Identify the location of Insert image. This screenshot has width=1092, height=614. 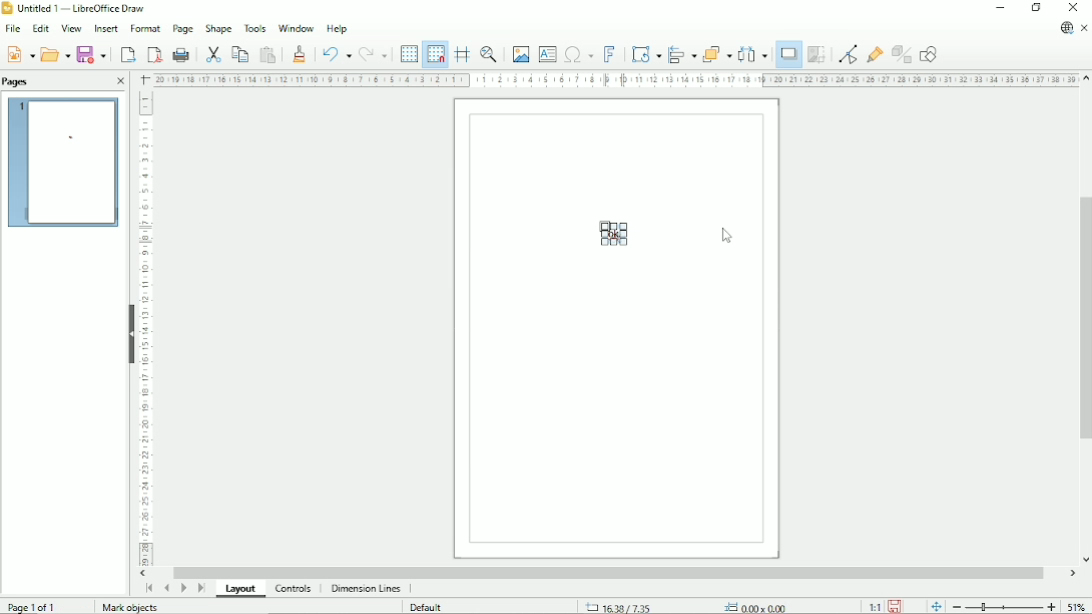
(519, 53).